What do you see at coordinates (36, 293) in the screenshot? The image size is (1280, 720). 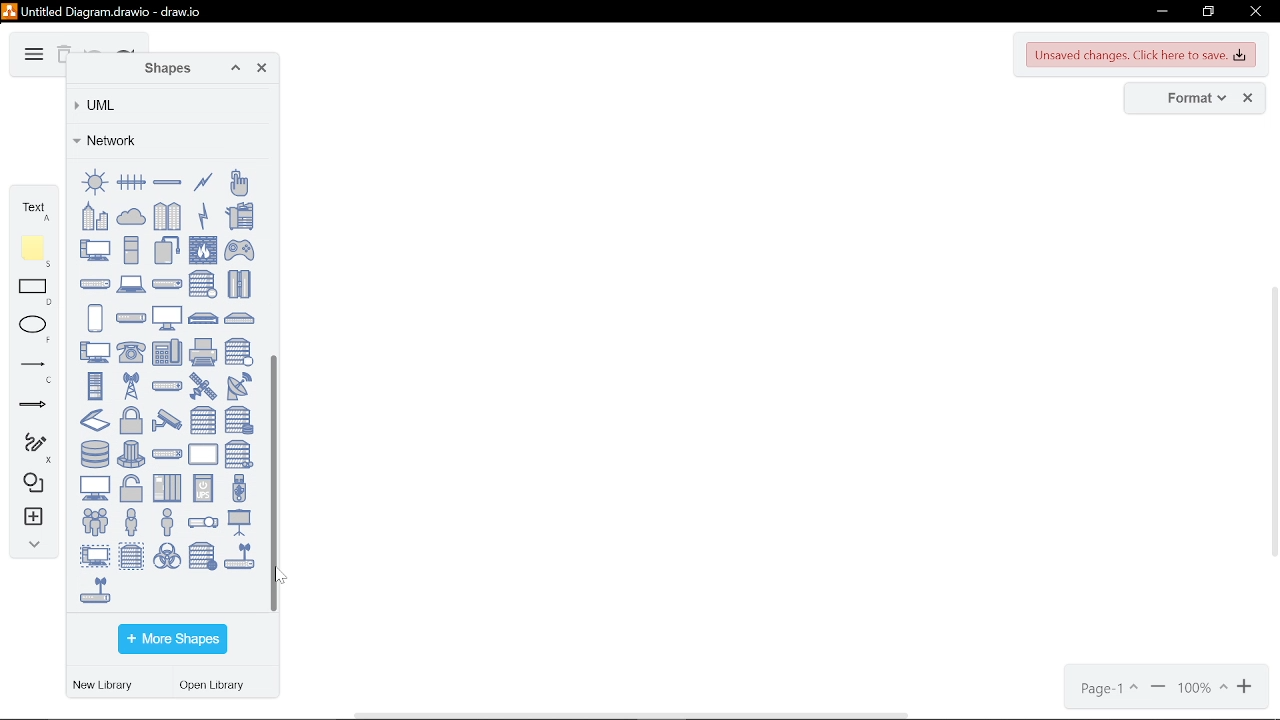 I see `rectangle` at bounding box center [36, 293].